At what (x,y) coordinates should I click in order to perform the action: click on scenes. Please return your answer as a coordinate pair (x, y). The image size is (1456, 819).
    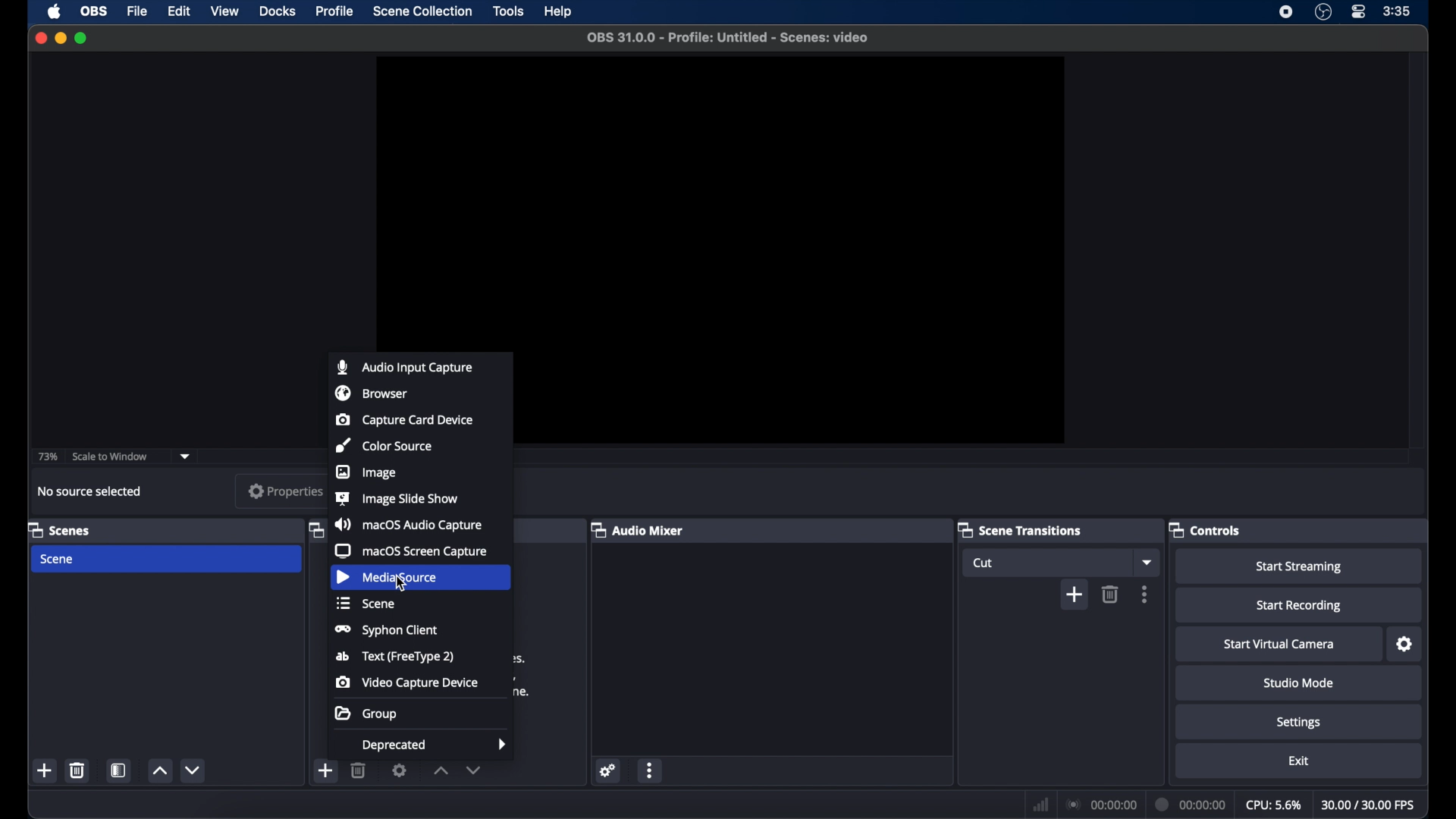
    Looking at the image, I should click on (59, 529).